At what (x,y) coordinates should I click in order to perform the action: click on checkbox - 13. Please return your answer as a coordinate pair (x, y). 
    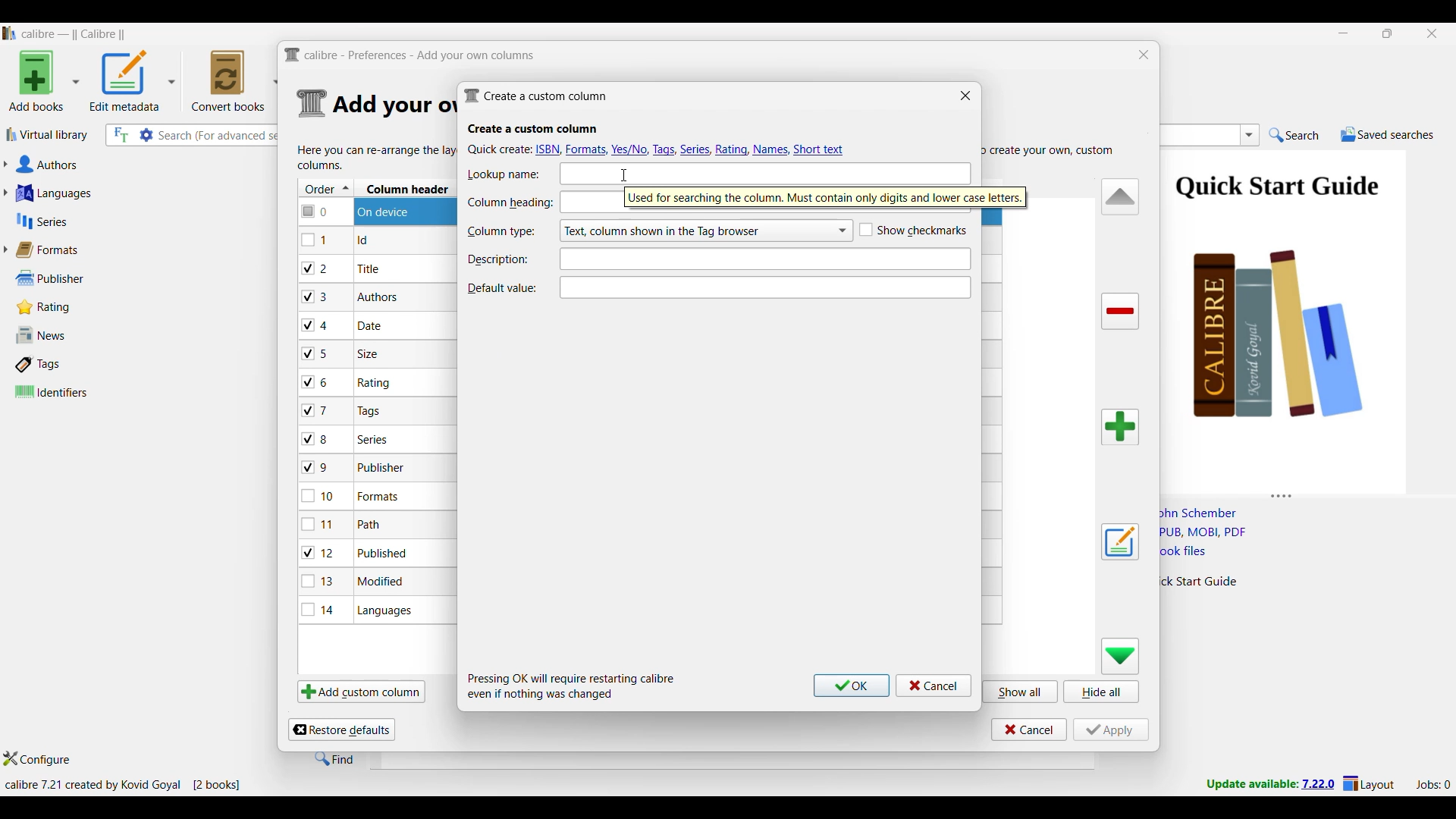
    Looking at the image, I should click on (318, 581).